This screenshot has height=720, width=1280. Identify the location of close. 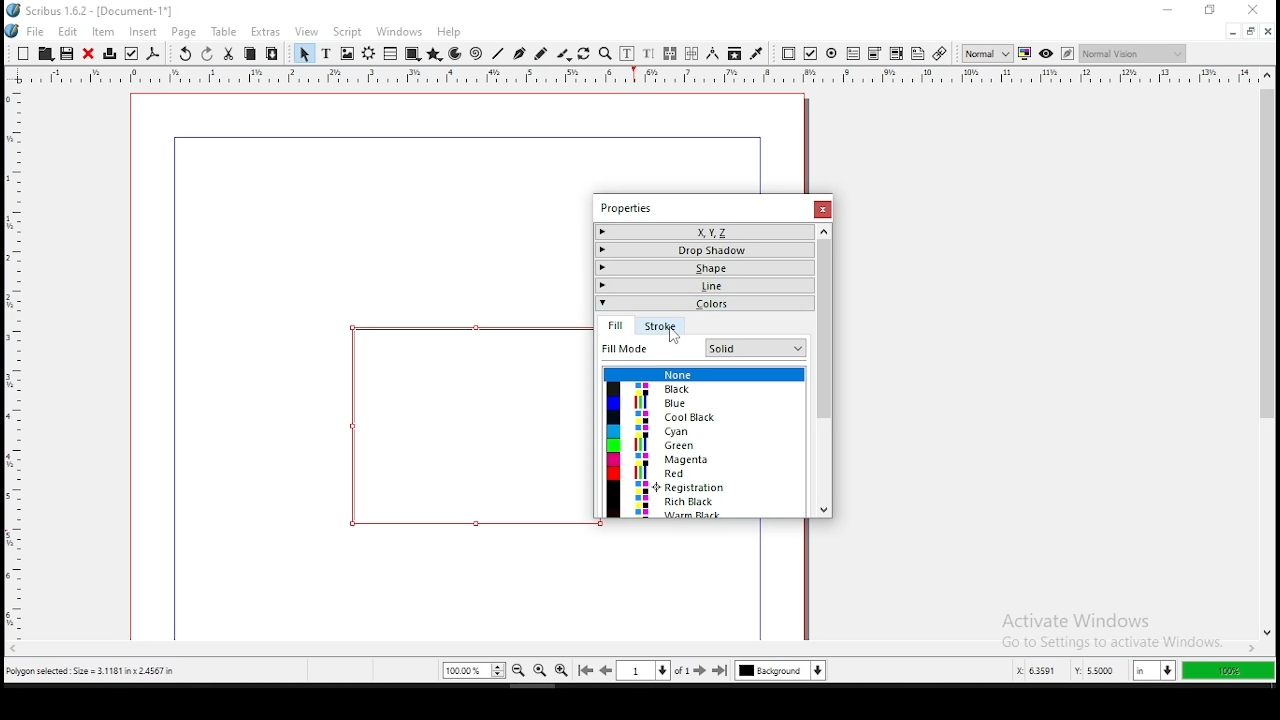
(1255, 10).